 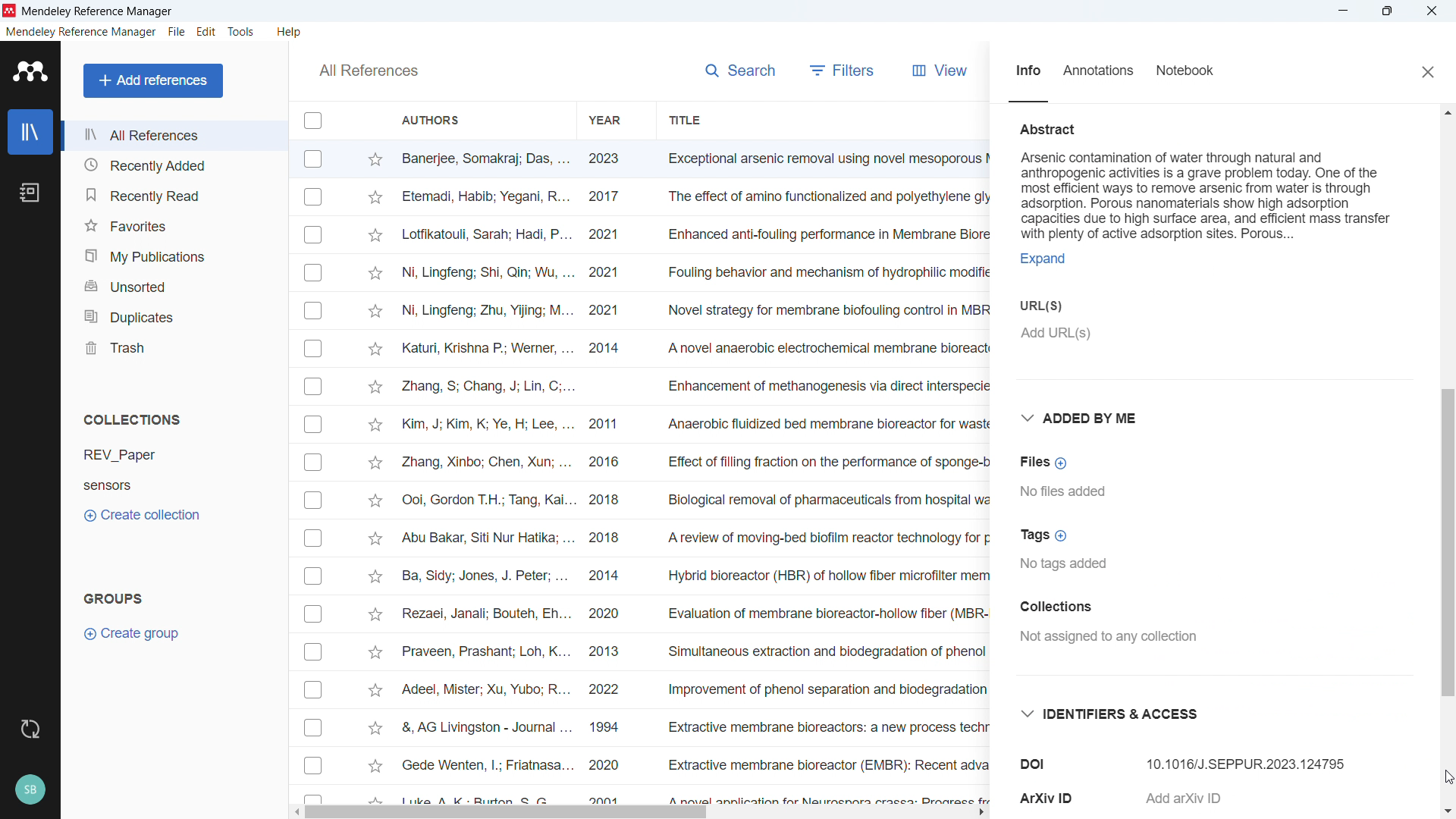 I want to click on 2020, so click(x=609, y=616).